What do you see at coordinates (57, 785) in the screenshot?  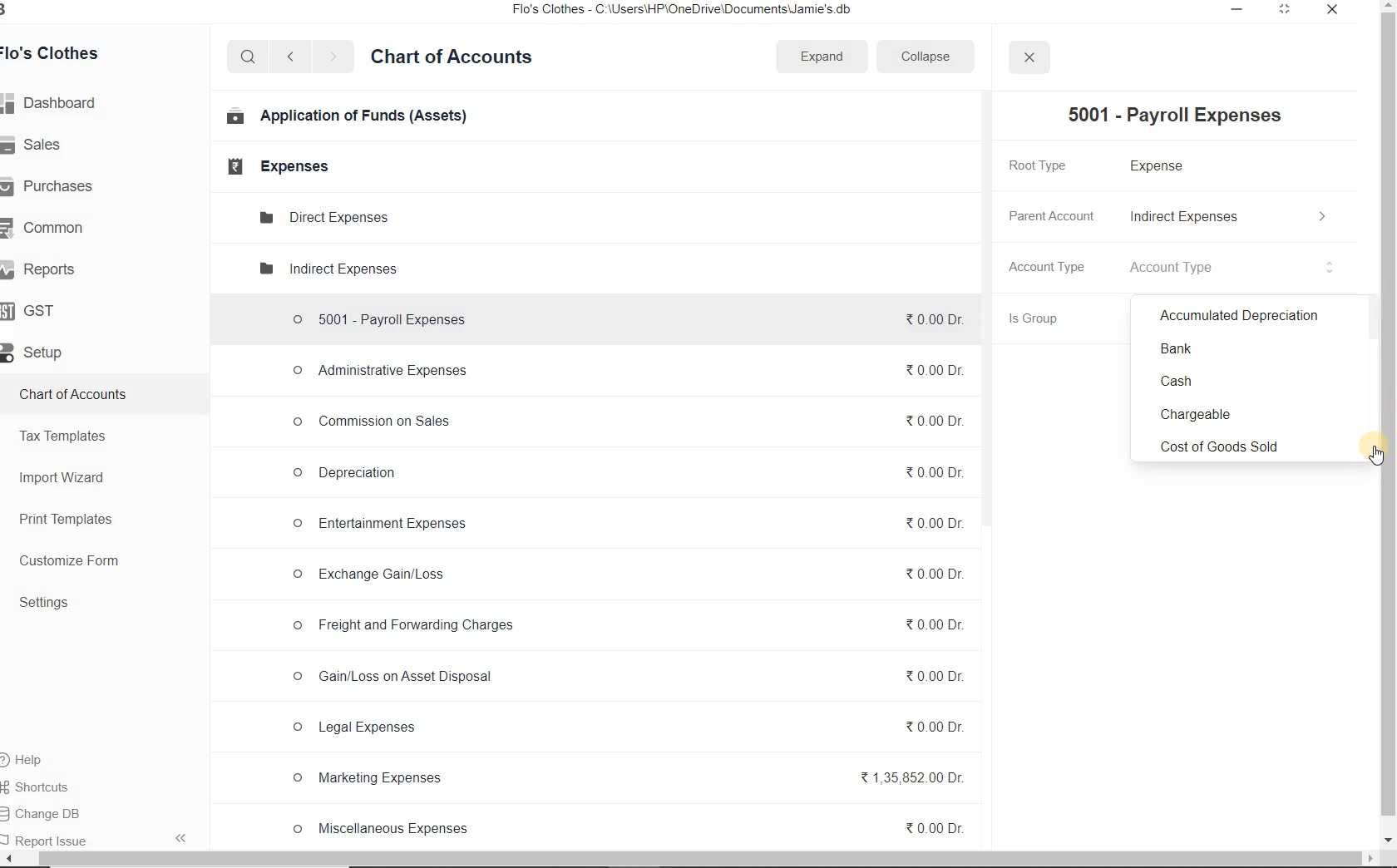 I see `Shortcuts` at bounding box center [57, 785].